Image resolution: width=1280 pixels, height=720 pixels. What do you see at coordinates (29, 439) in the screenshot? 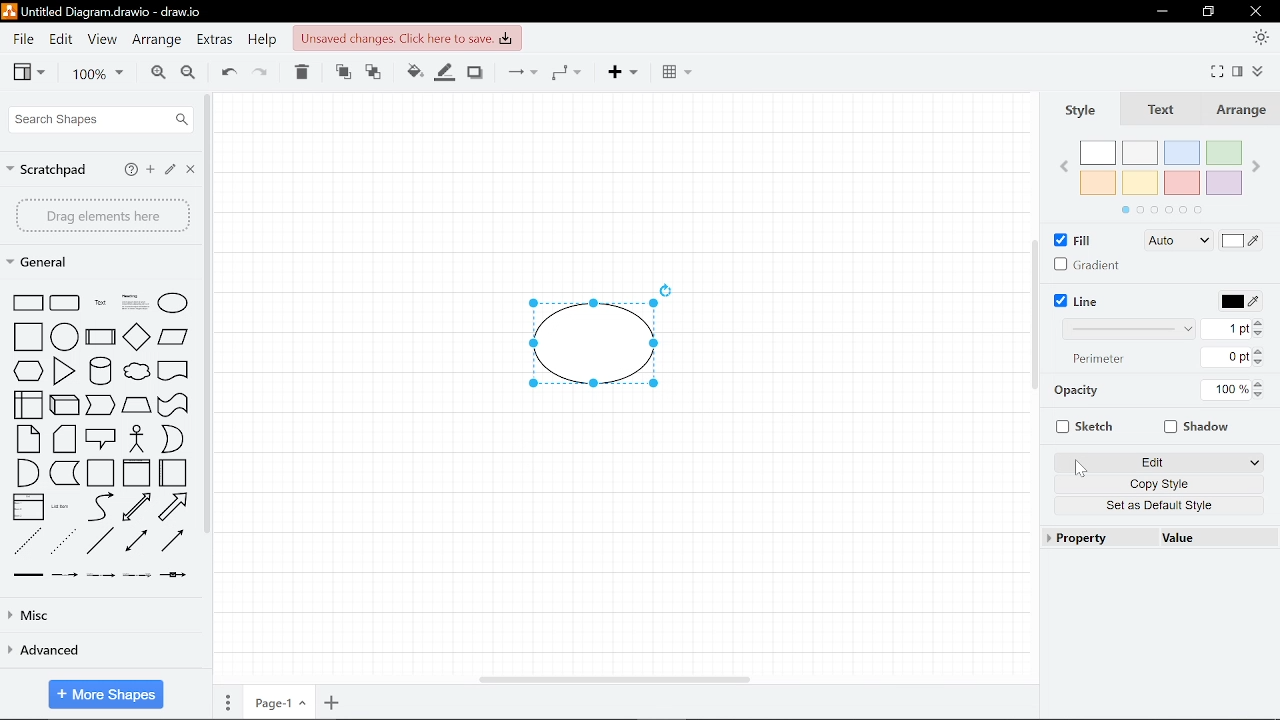
I see `note` at bounding box center [29, 439].